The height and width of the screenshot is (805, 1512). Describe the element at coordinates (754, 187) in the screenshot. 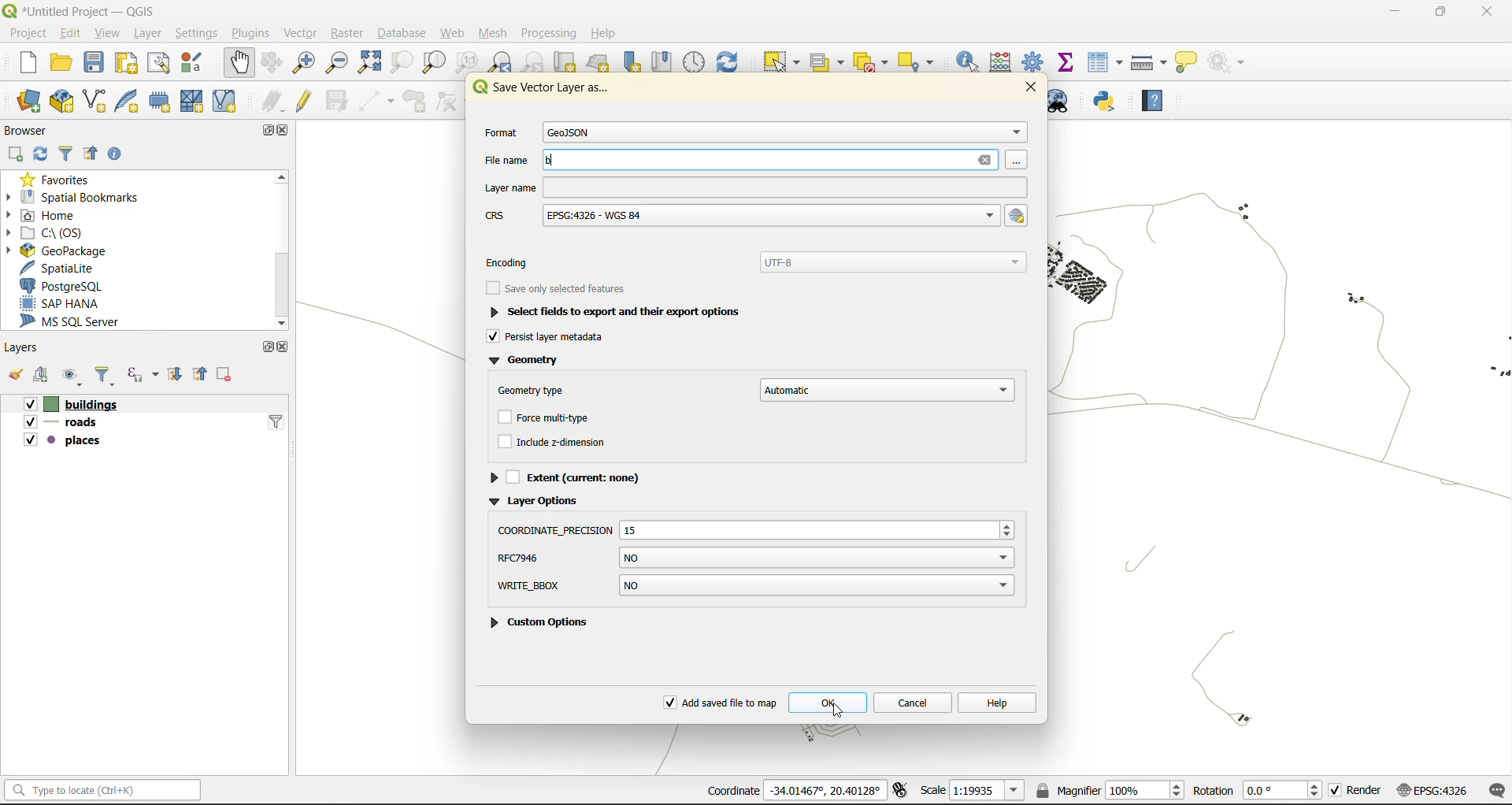

I see `layer name` at that location.